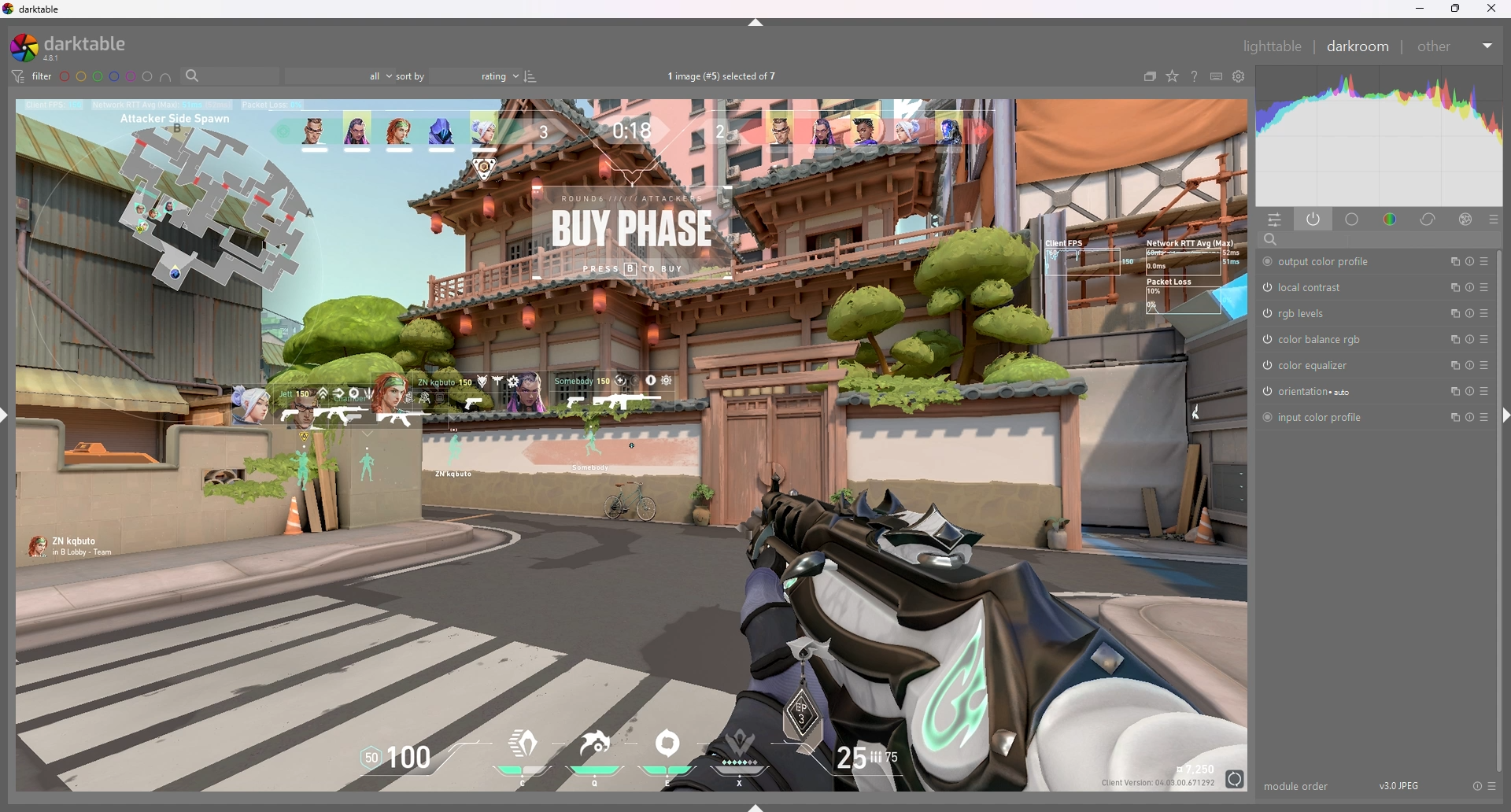 The image size is (1511, 812). Describe the element at coordinates (1303, 313) in the screenshot. I see `rgb levels` at that location.